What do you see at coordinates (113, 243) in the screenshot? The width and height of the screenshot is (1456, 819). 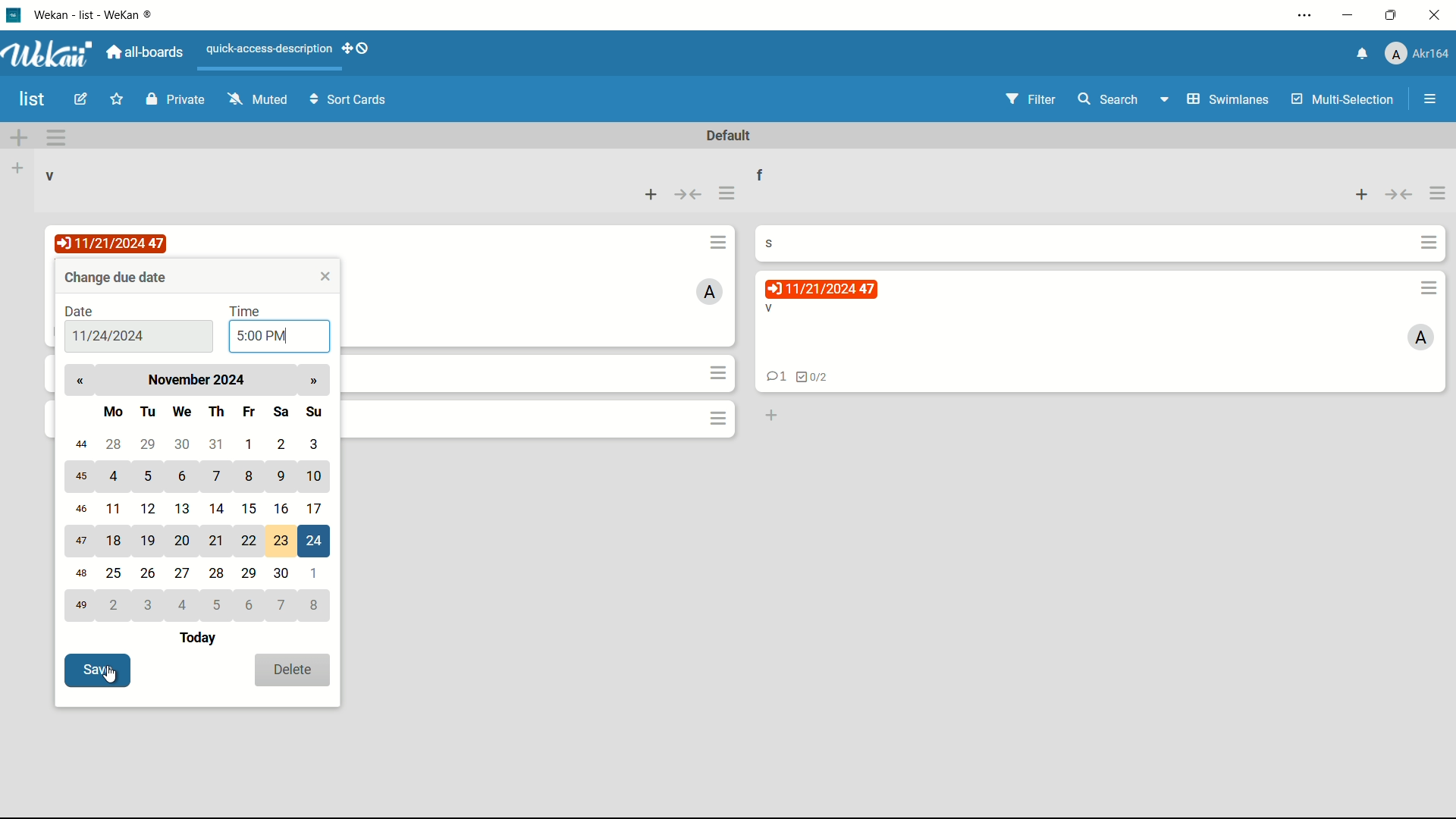 I see `due date` at bounding box center [113, 243].